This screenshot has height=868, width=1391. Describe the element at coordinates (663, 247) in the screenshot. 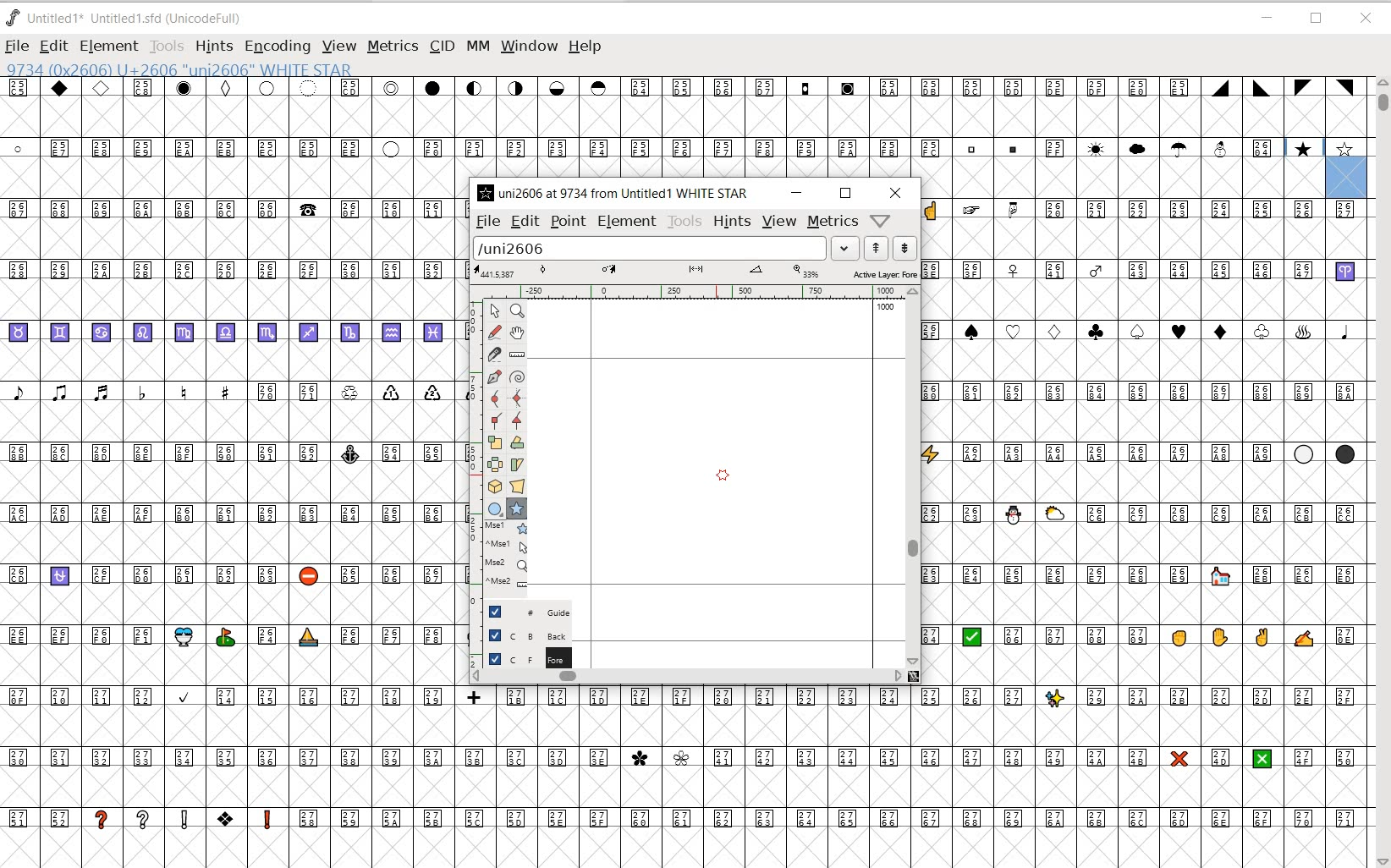

I see `load word list` at that location.